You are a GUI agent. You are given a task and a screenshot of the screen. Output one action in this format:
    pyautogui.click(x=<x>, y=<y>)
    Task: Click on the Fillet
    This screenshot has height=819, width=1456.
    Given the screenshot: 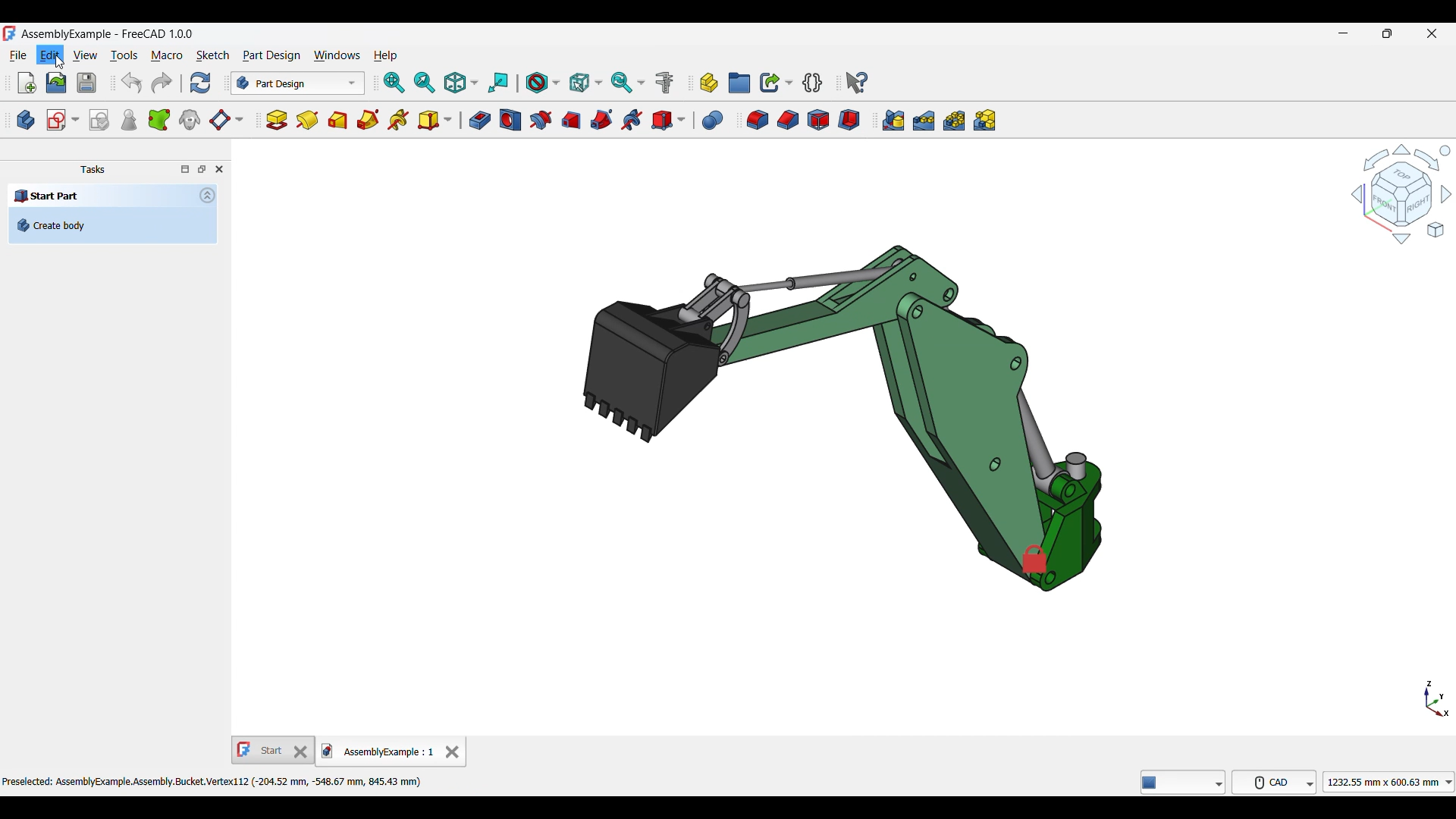 What is the action you would take?
    pyautogui.click(x=758, y=121)
    